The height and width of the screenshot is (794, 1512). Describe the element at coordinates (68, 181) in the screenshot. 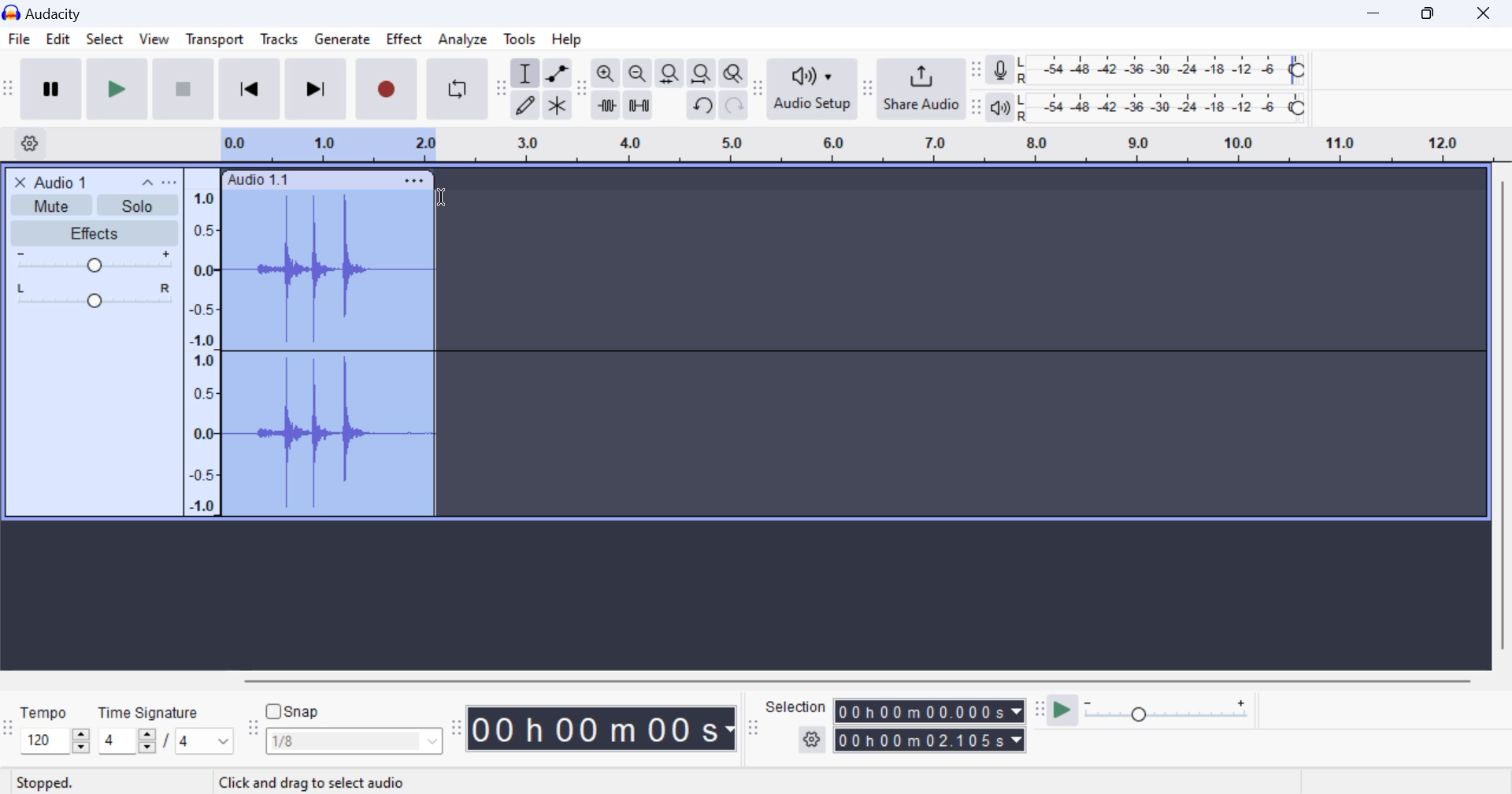

I see `Clip Title` at that location.